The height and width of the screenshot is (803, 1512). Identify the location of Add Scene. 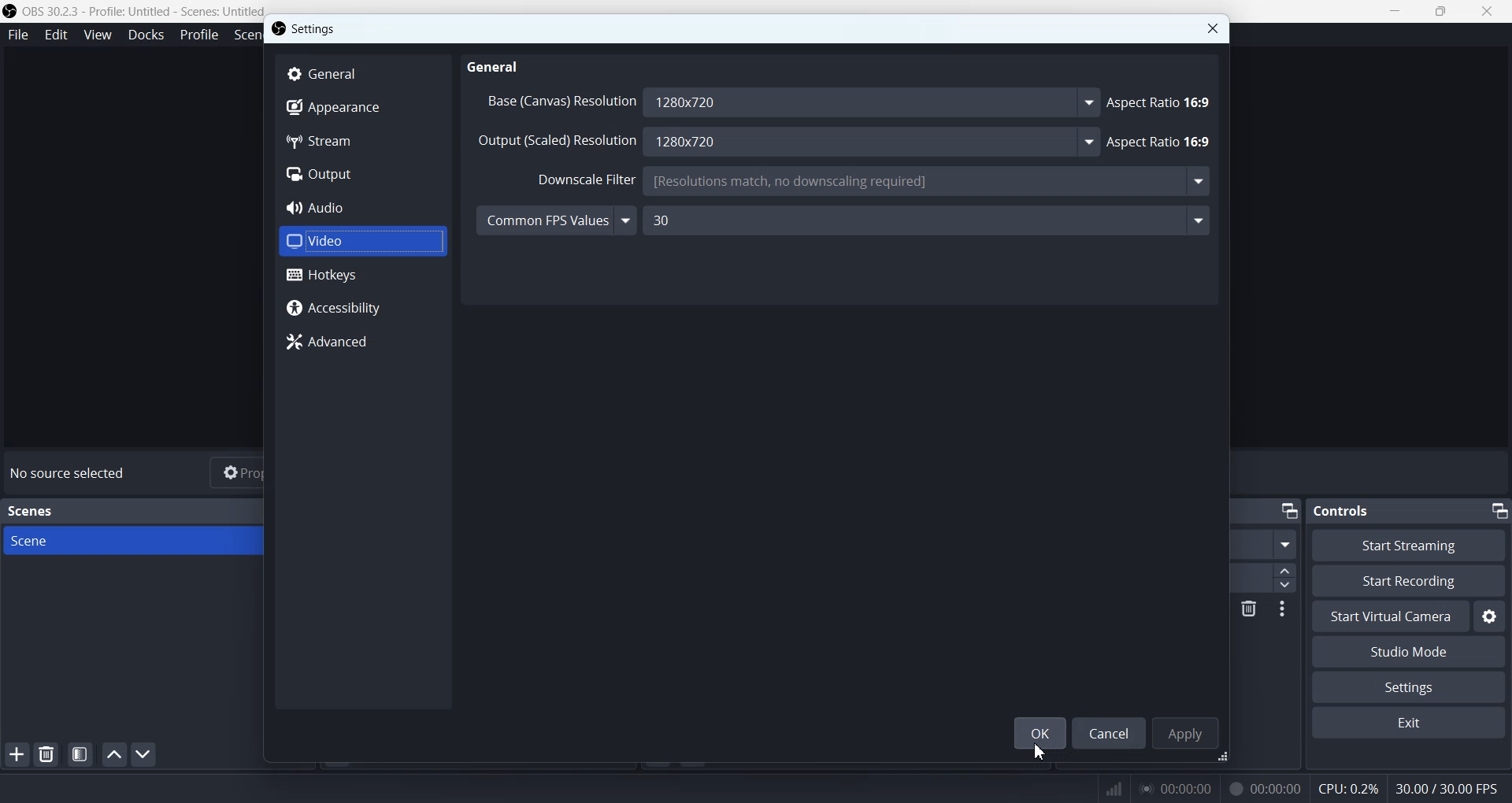
(16, 754).